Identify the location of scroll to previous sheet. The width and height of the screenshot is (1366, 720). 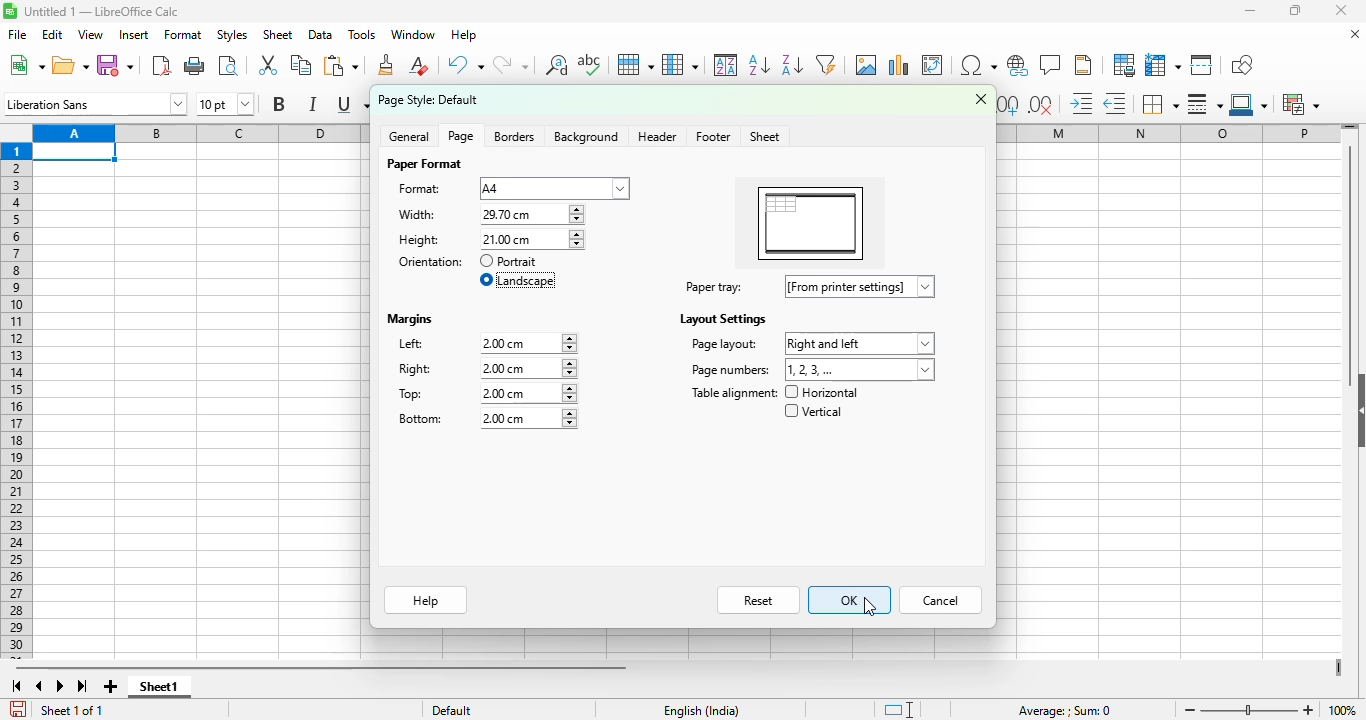
(40, 686).